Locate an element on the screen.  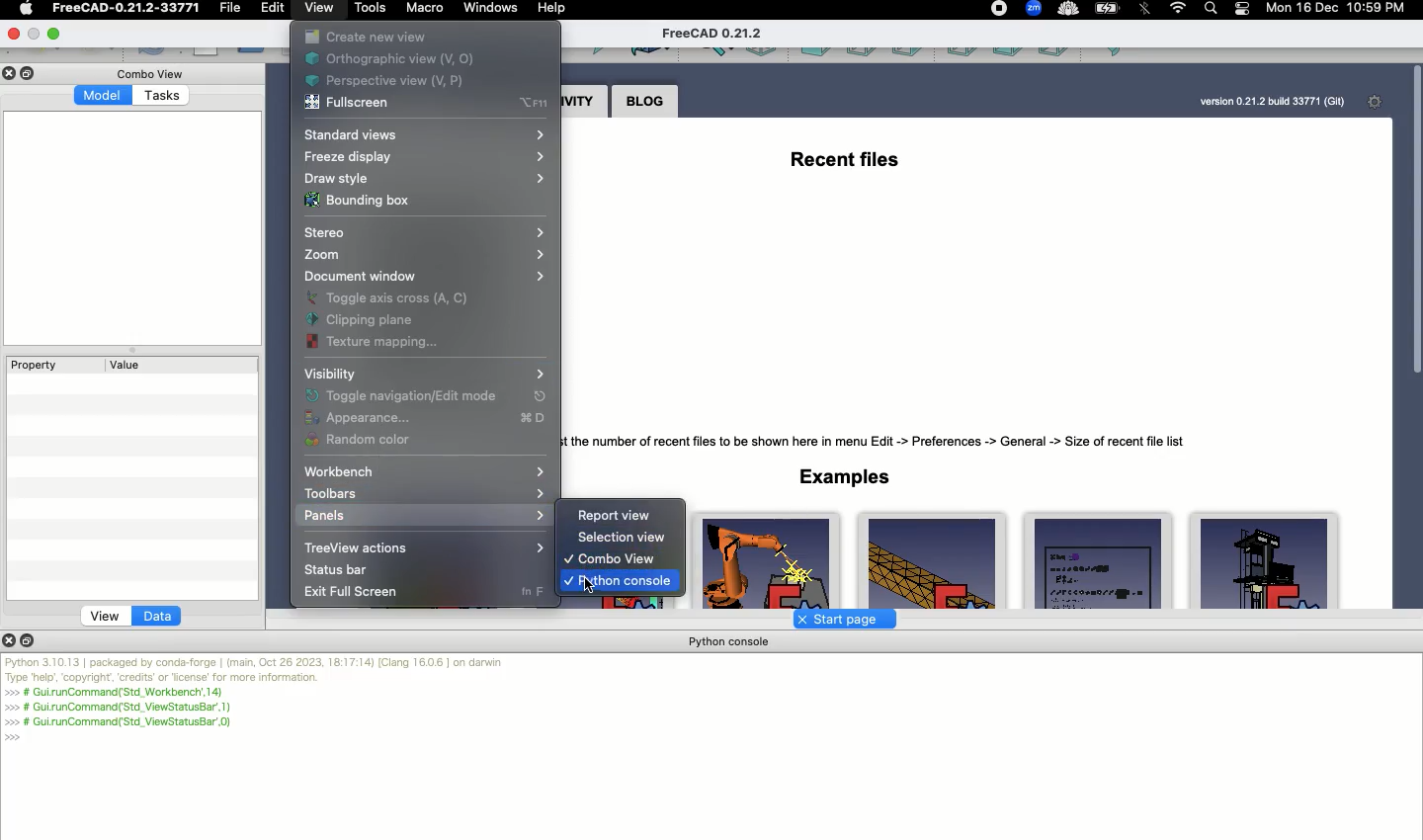
Zoom is located at coordinates (420, 256).